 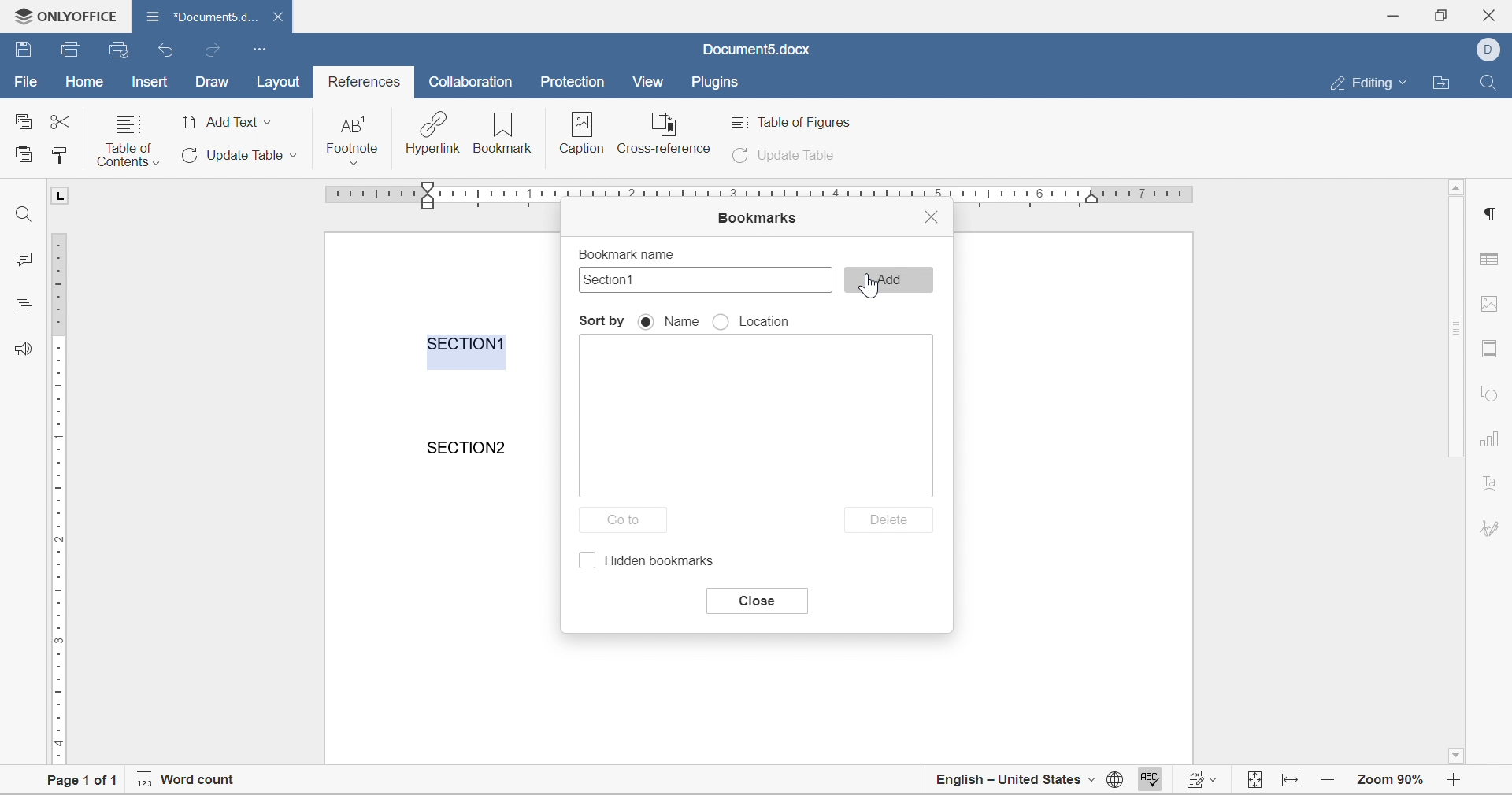 I want to click on Section1, so click(x=614, y=279).